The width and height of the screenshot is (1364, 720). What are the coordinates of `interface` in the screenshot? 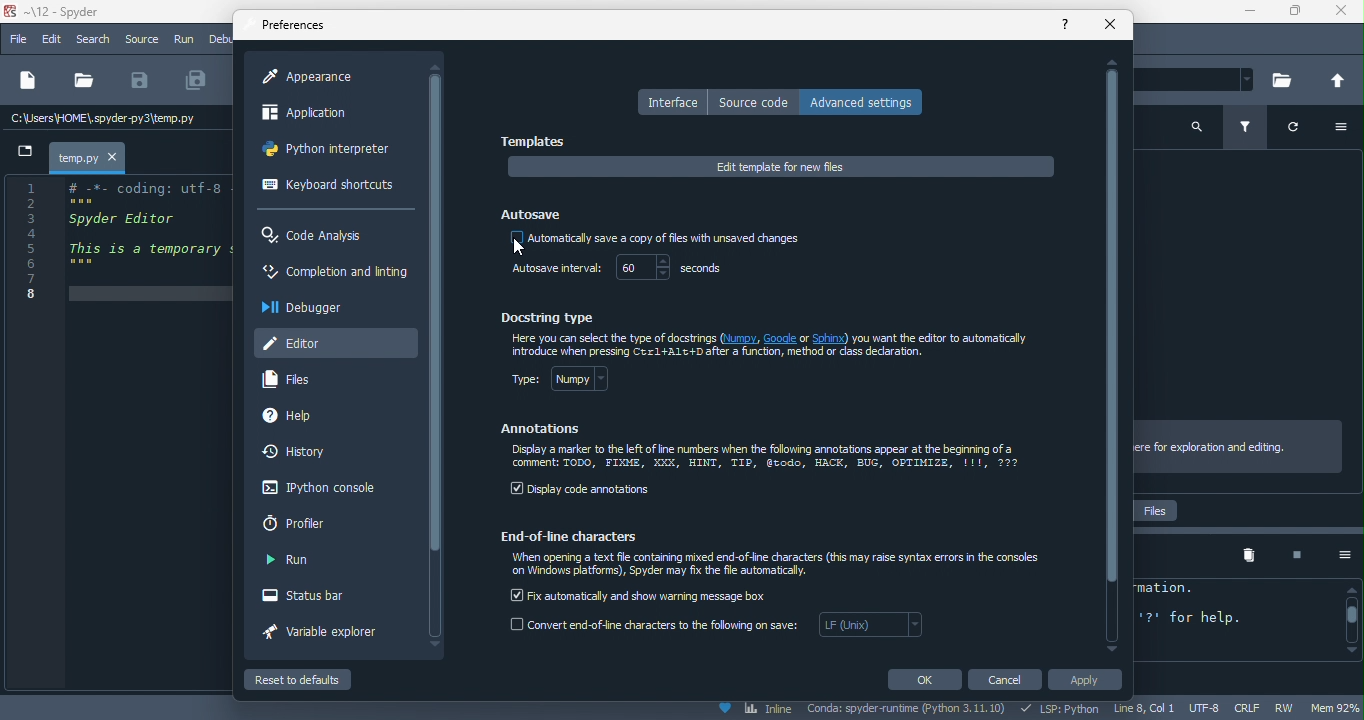 It's located at (671, 102).